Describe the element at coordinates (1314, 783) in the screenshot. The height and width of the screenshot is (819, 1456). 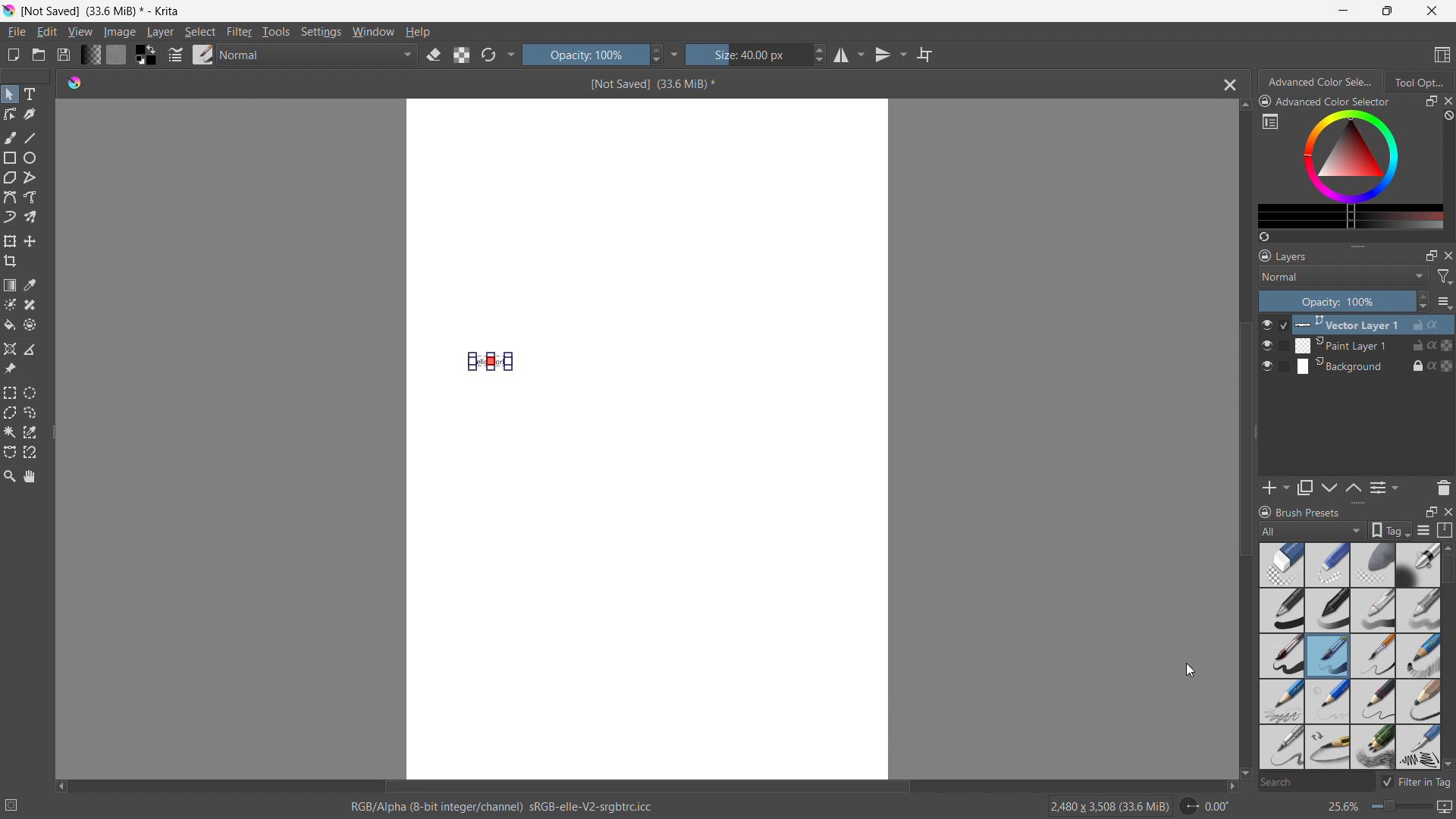
I see `search` at that location.